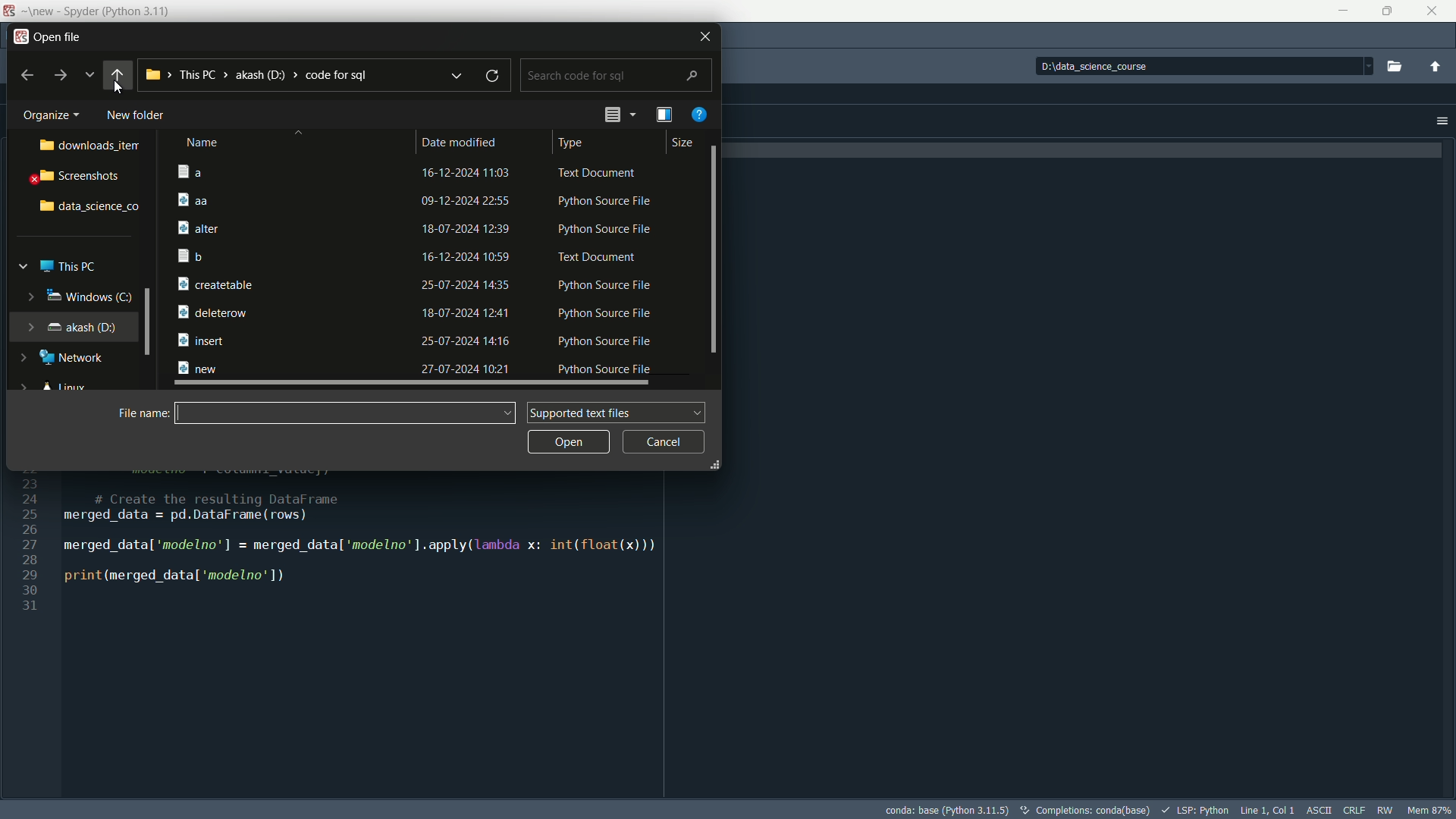  Describe the element at coordinates (1194, 809) in the screenshot. I see `lsp:python` at that location.